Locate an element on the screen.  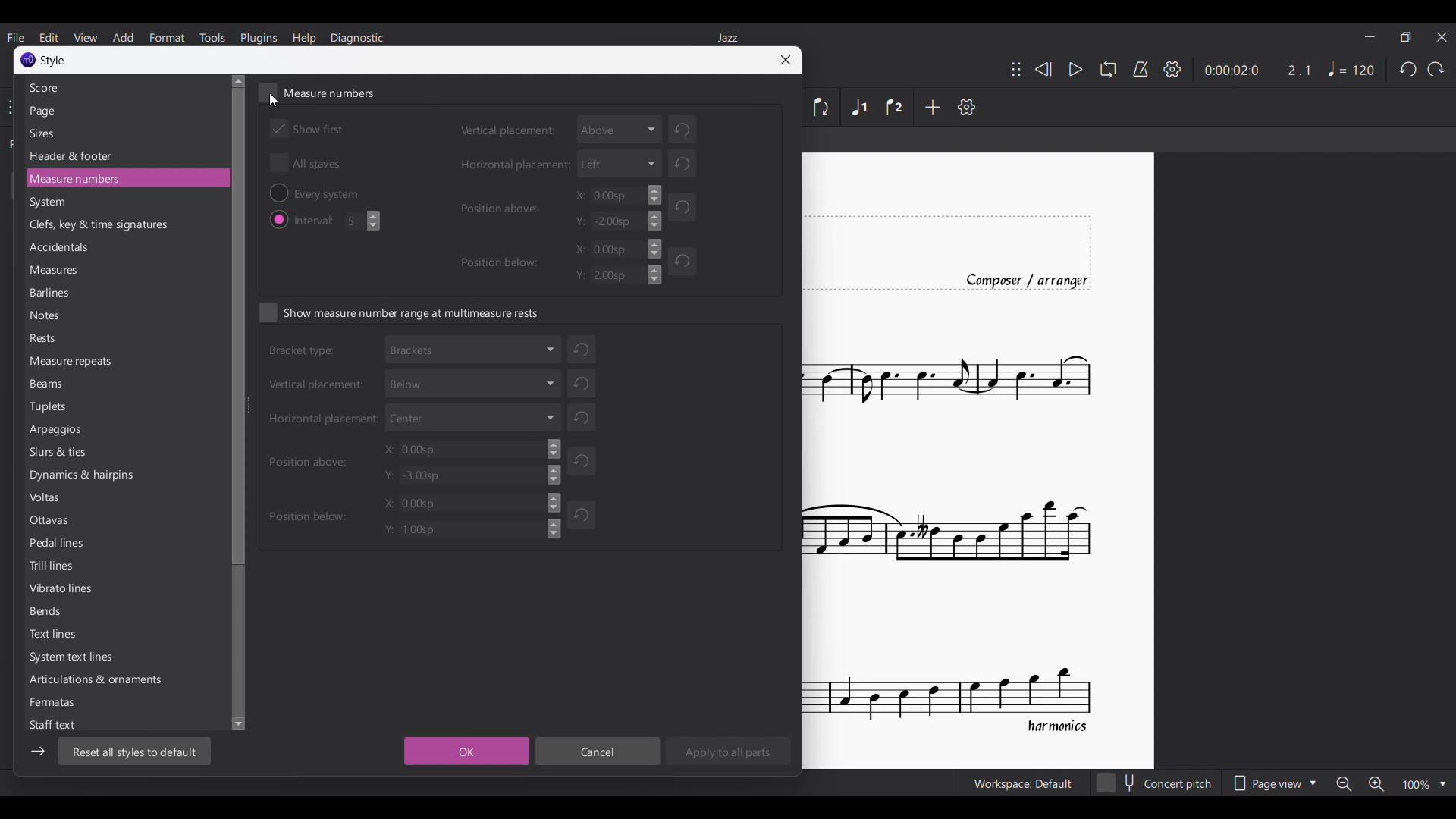
Trill is located at coordinates (55, 568).